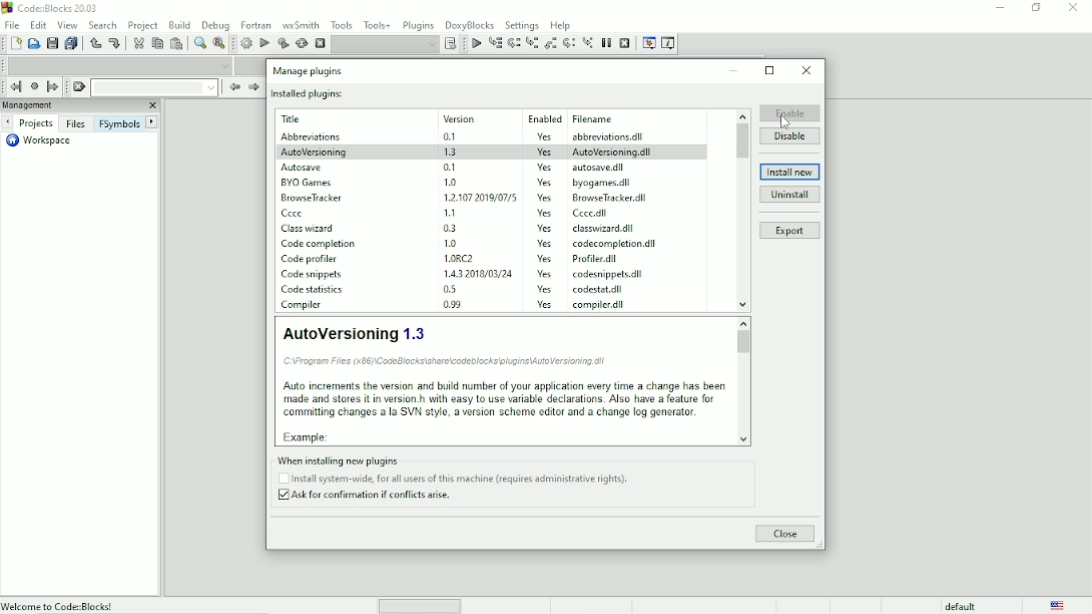  Describe the element at coordinates (606, 43) in the screenshot. I see `Break debugger` at that location.